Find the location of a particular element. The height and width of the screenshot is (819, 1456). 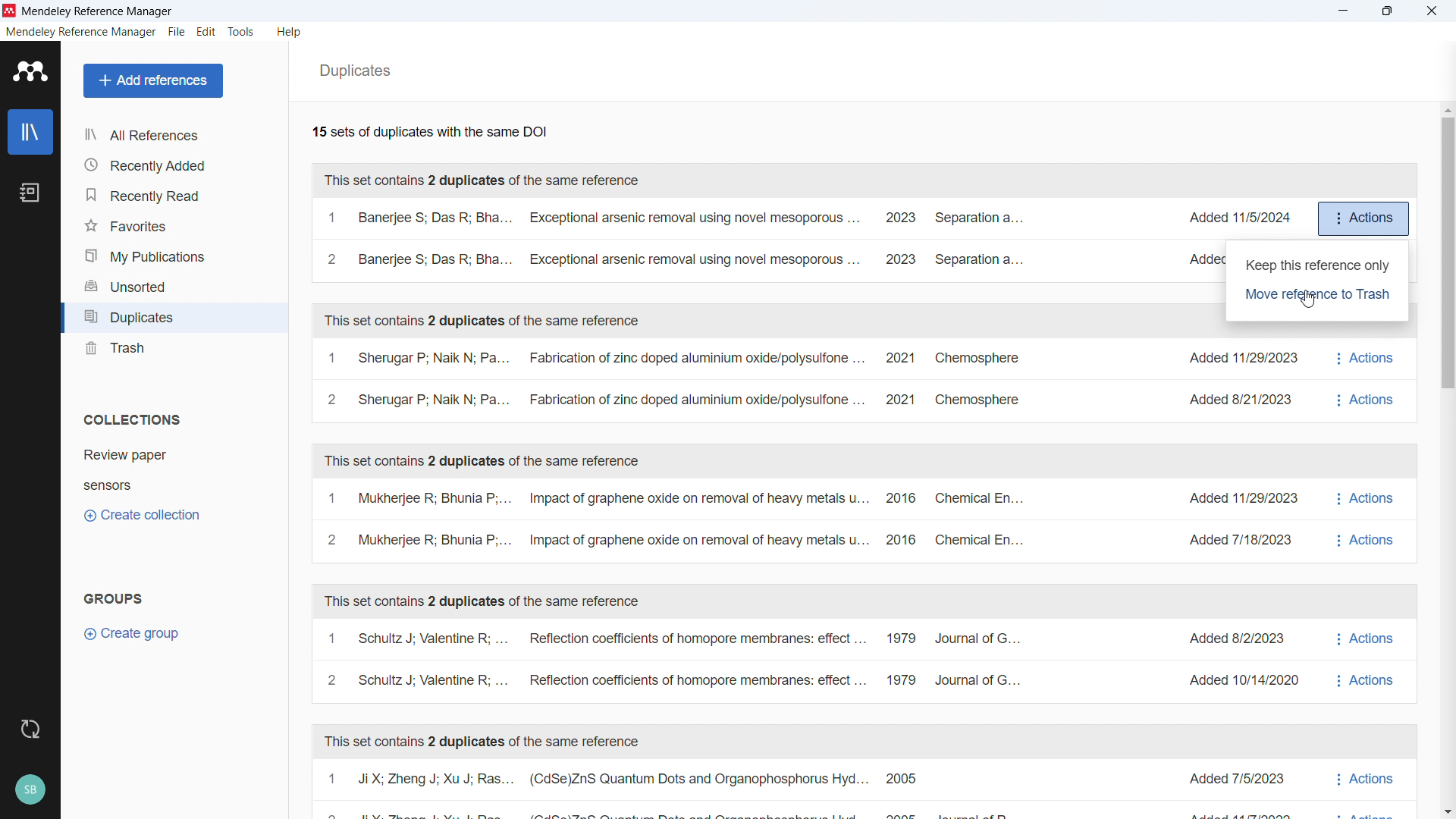

Sync  is located at coordinates (30, 727).